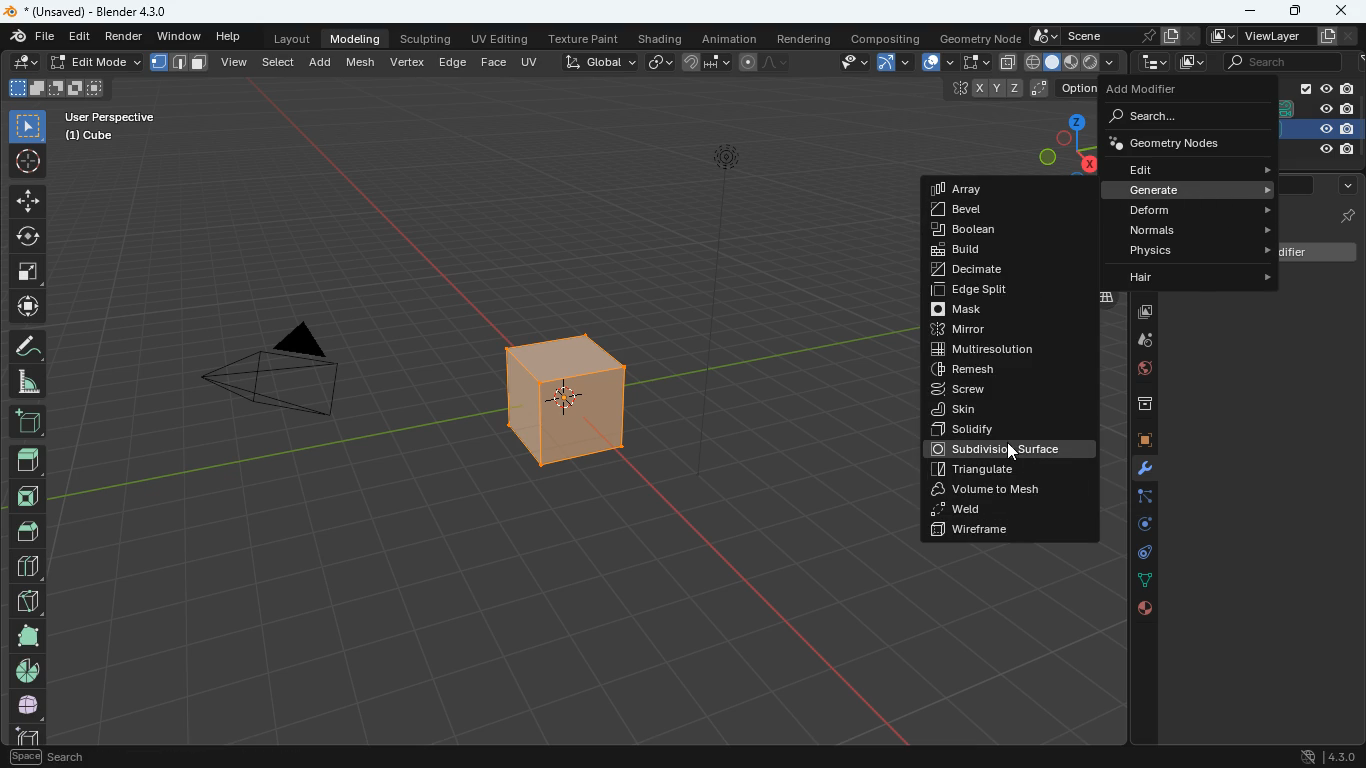 The image size is (1366, 768). Describe the element at coordinates (27, 236) in the screenshot. I see `rotate` at that location.